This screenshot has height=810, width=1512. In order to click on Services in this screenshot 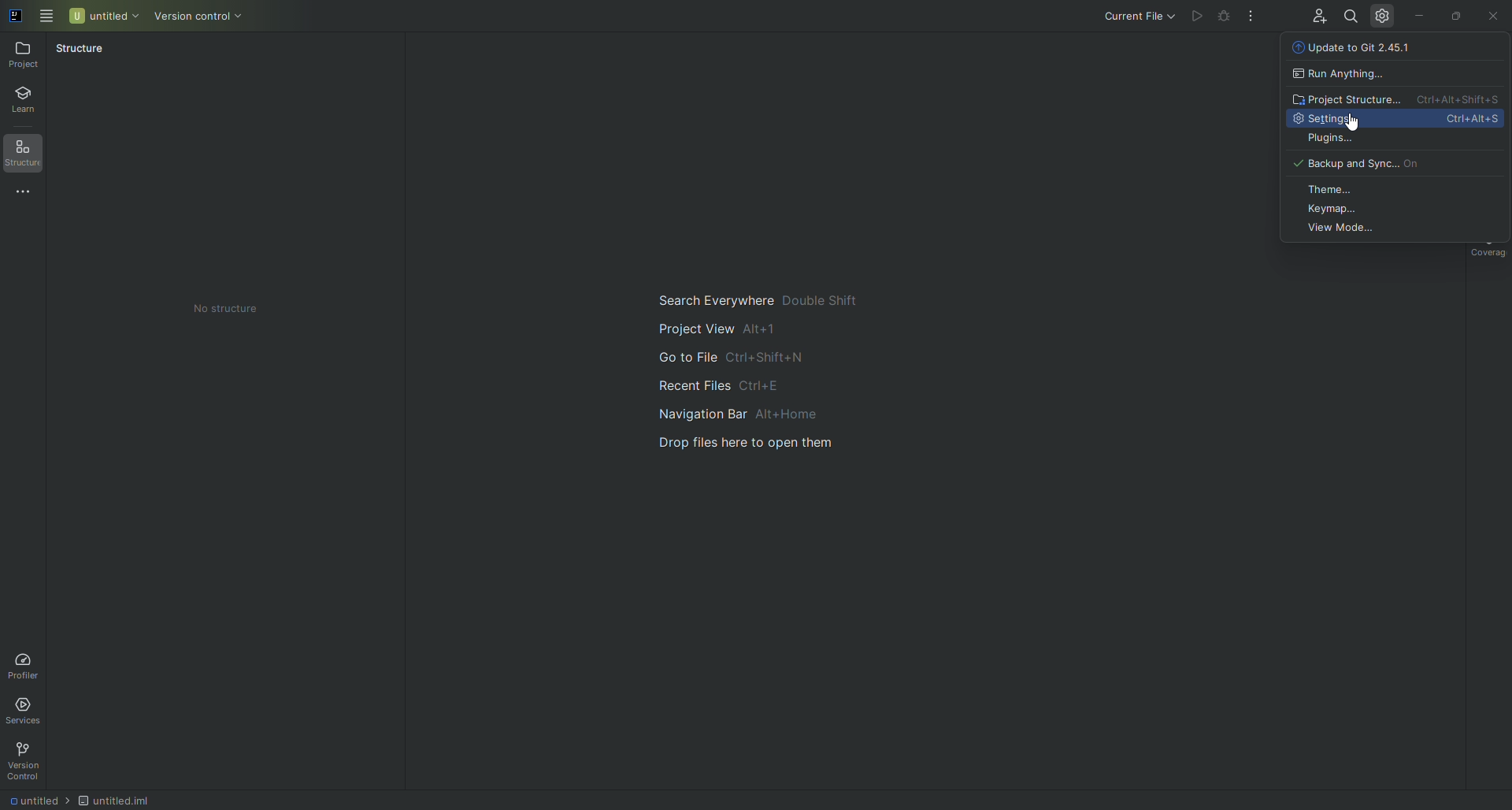, I will do `click(24, 713)`.